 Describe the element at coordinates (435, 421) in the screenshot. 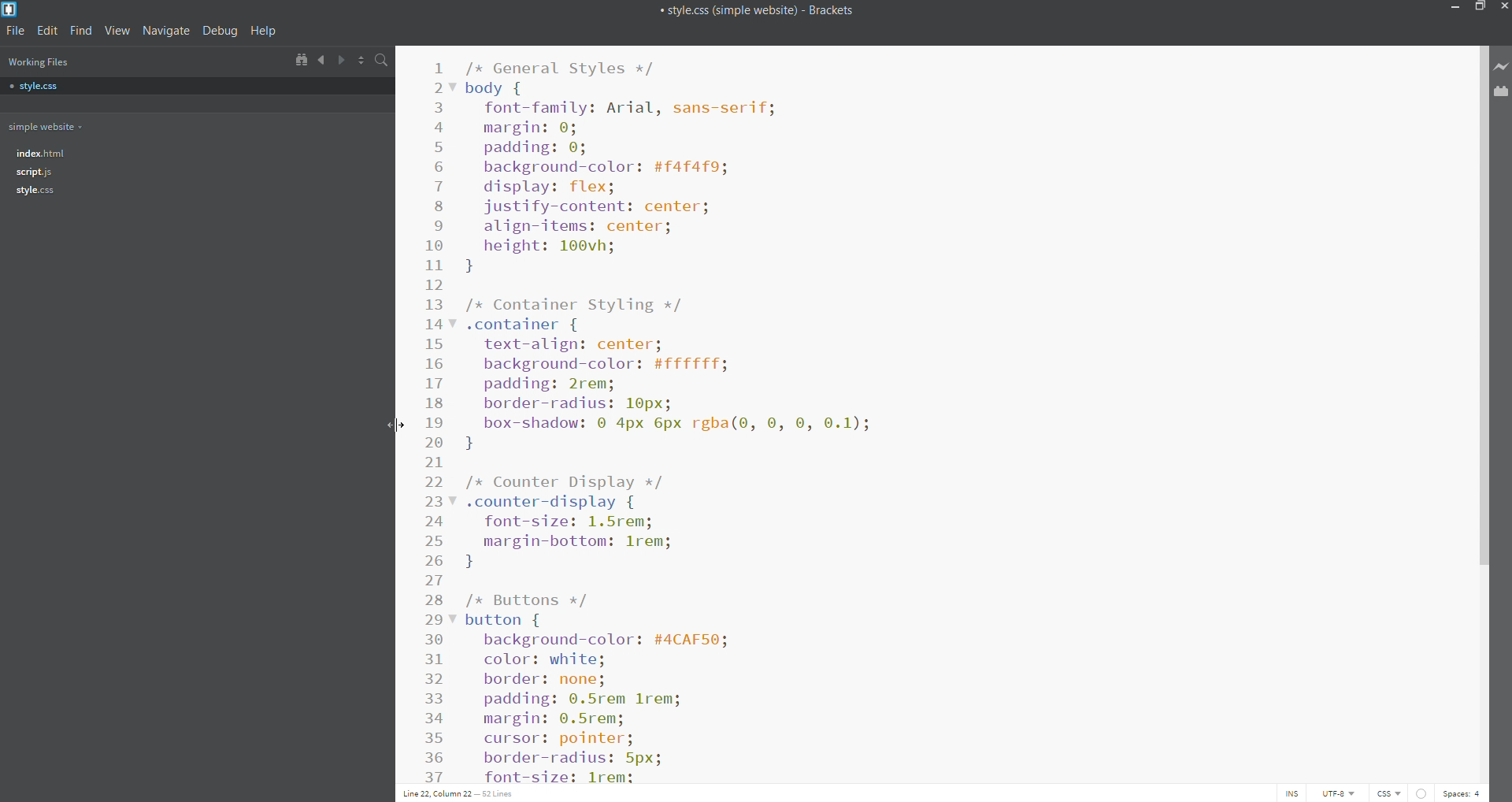

I see `line number` at that location.